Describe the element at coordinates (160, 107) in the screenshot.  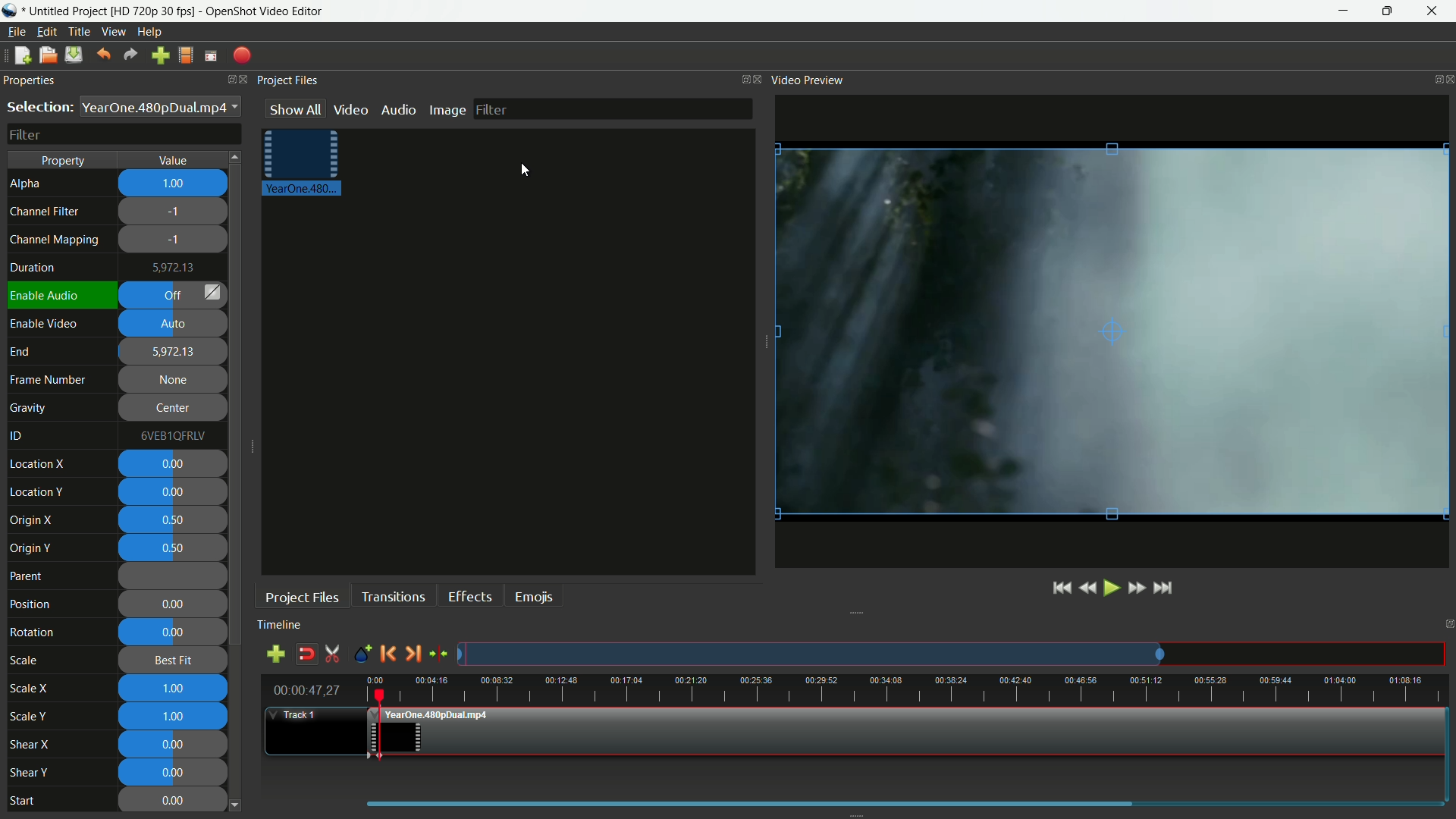
I see `YearOne.480pDualmp4 ` at that location.